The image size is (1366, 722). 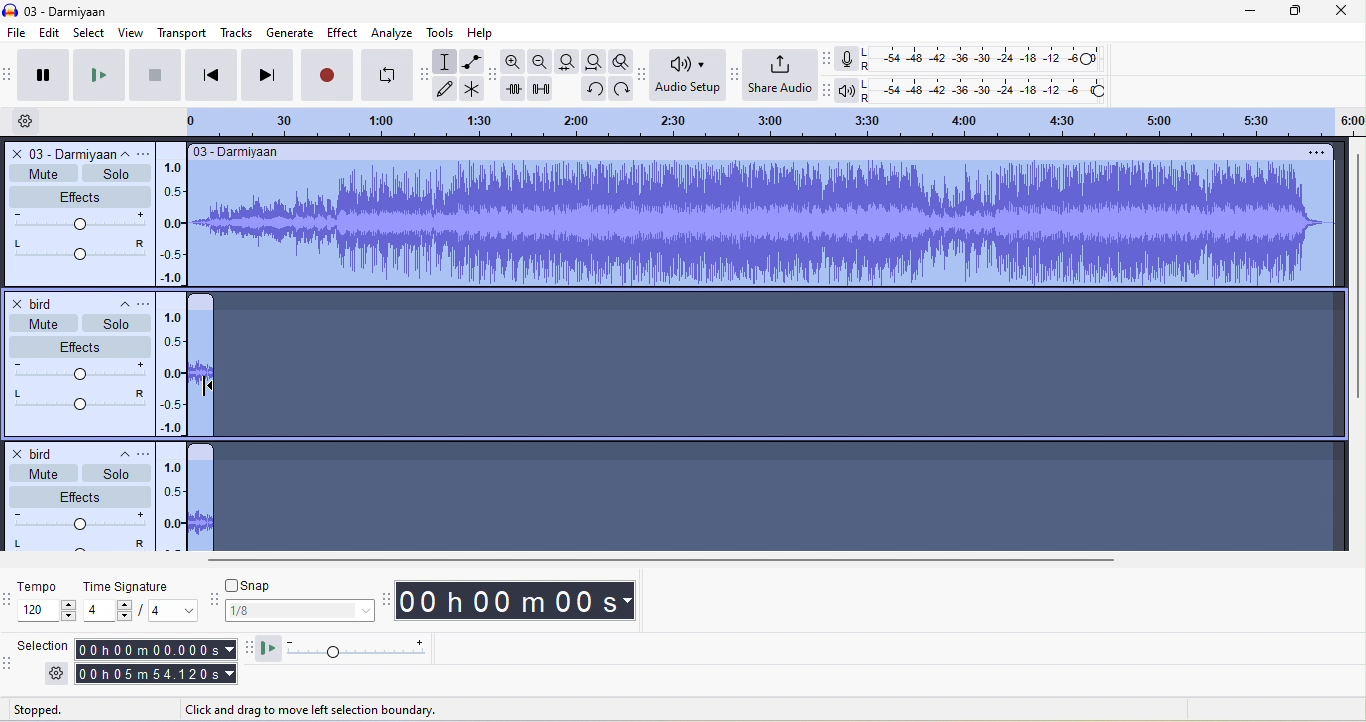 What do you see at coordinates (471, 63) in the screenshot?
I see `envelope tool` at bounding box center [471, 63].